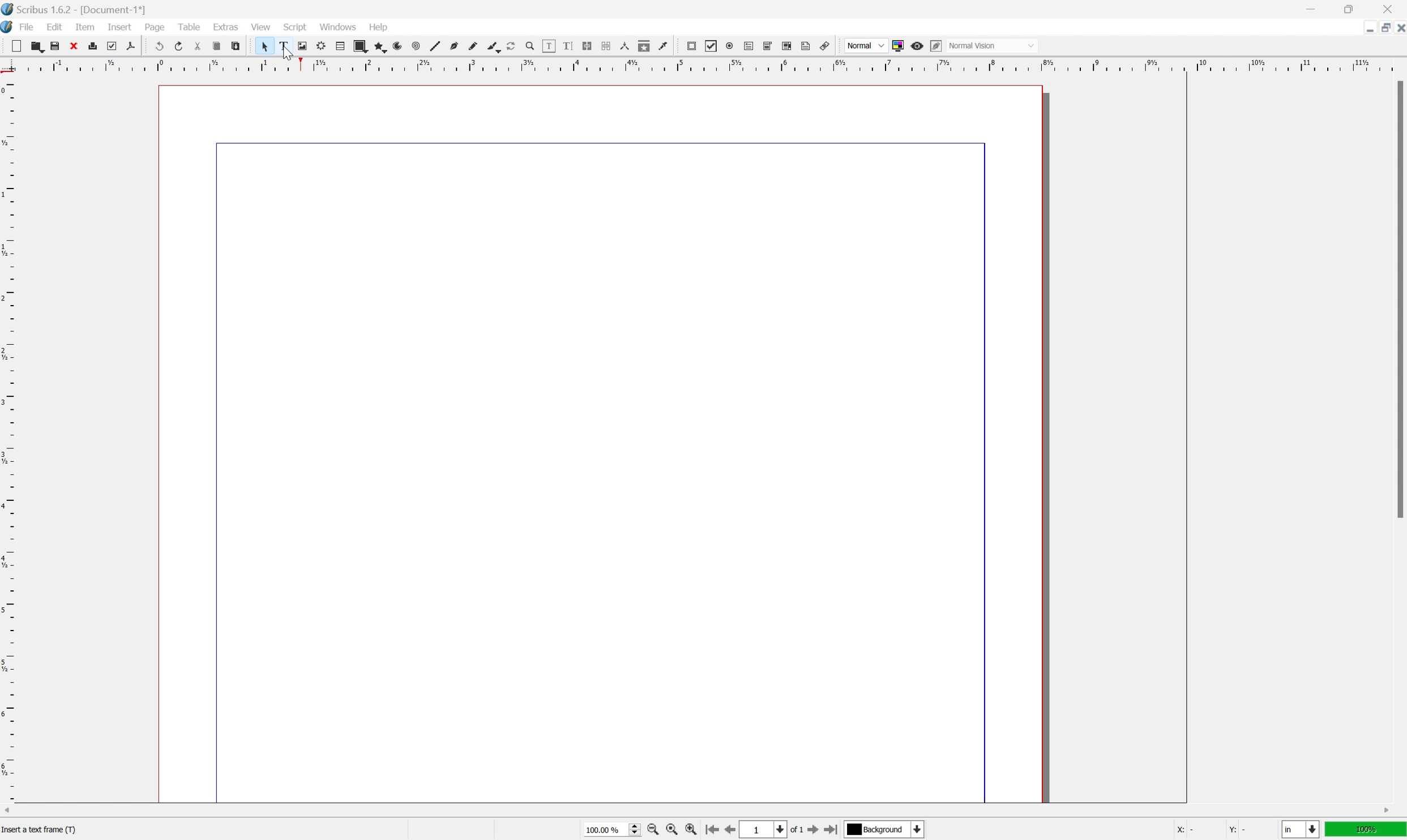 This screenshot has width=1407, height=840. I want to click on bezier curve, so click(494, 48).